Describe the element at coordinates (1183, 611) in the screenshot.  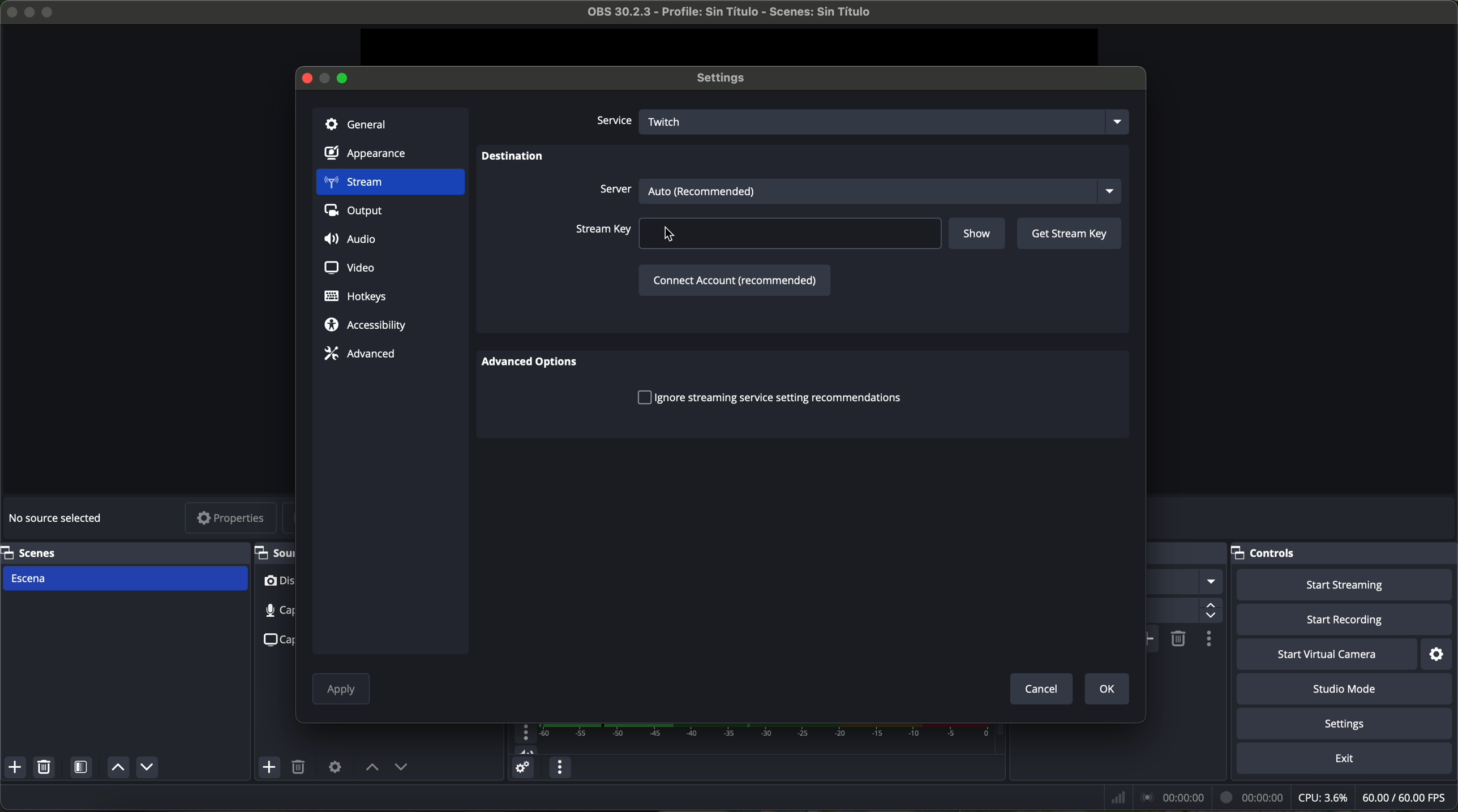
I see `300 ms` at that location.